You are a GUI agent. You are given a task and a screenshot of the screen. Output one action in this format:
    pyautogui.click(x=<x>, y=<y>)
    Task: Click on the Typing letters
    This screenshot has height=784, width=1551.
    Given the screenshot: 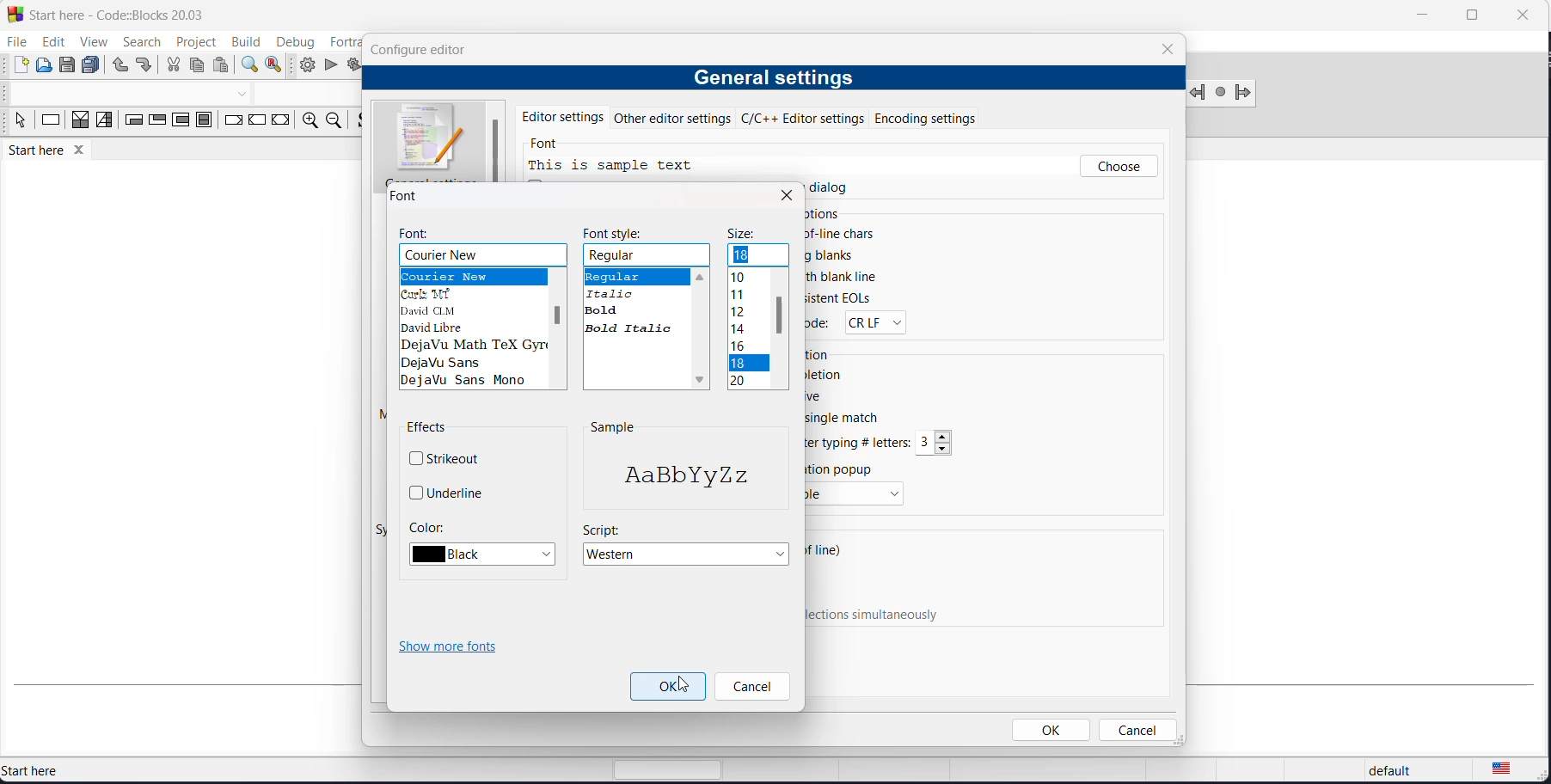 What is the action you would take?
    pyautogui.click(x=861, y=443)
    